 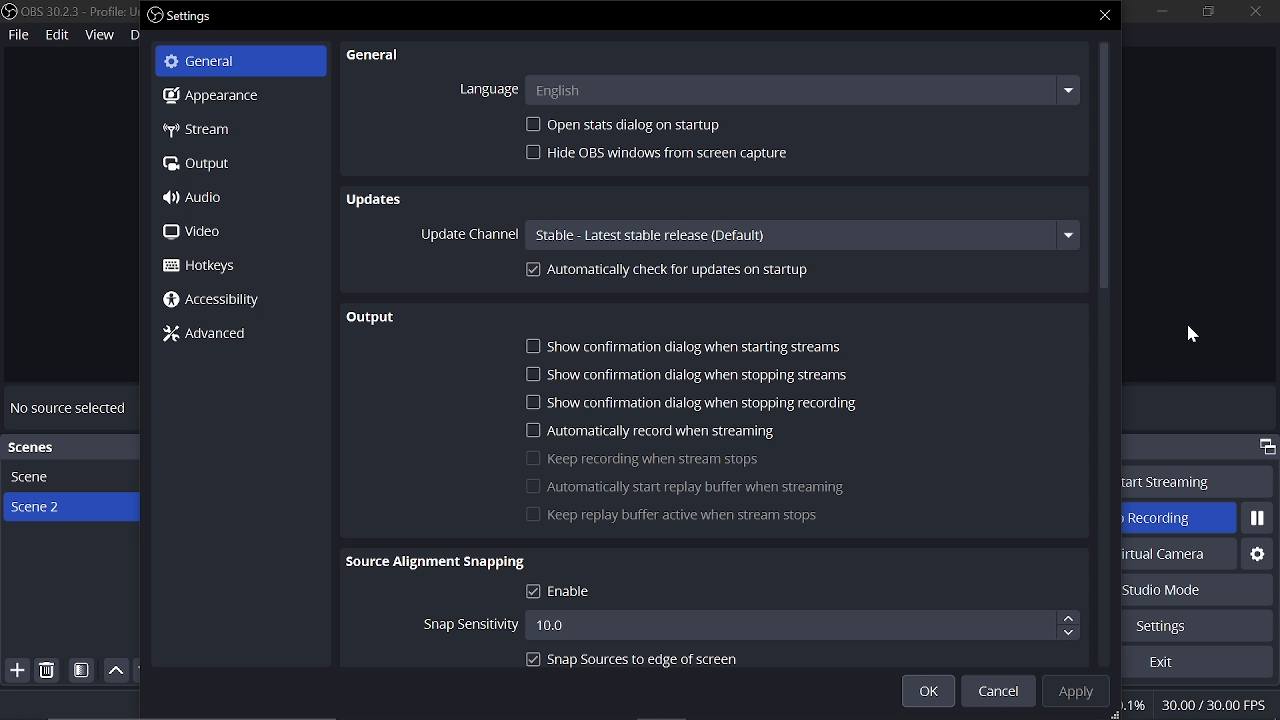 What do you see at coordinates (1246, 13) in the screenshot?
I see `close` at bounding box center [1246, 13].